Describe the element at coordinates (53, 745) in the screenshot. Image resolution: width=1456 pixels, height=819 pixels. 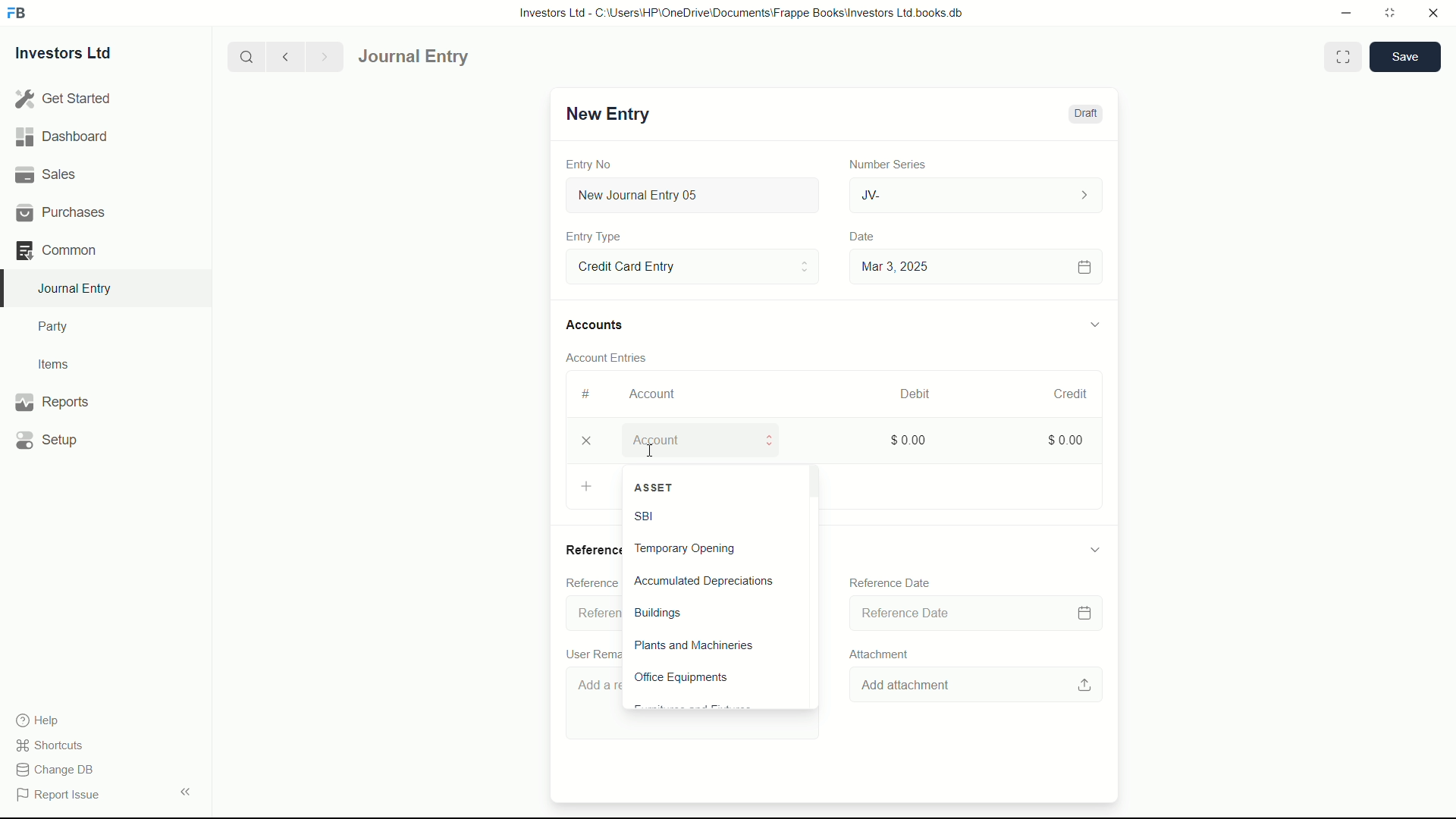
I see `shortcuts` at that location.